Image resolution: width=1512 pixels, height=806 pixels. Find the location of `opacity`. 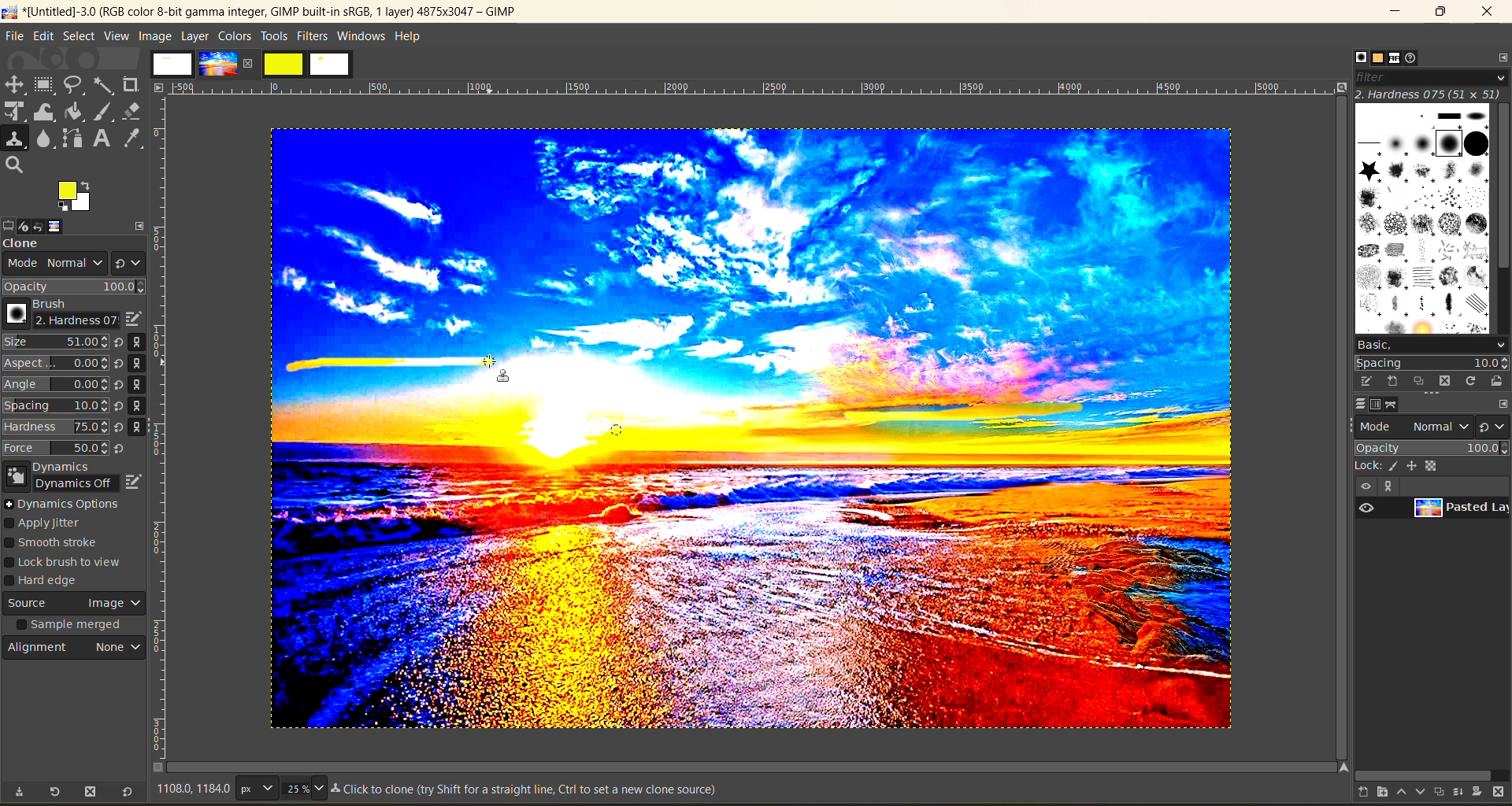

opacity is located at coordinates (75, 287).